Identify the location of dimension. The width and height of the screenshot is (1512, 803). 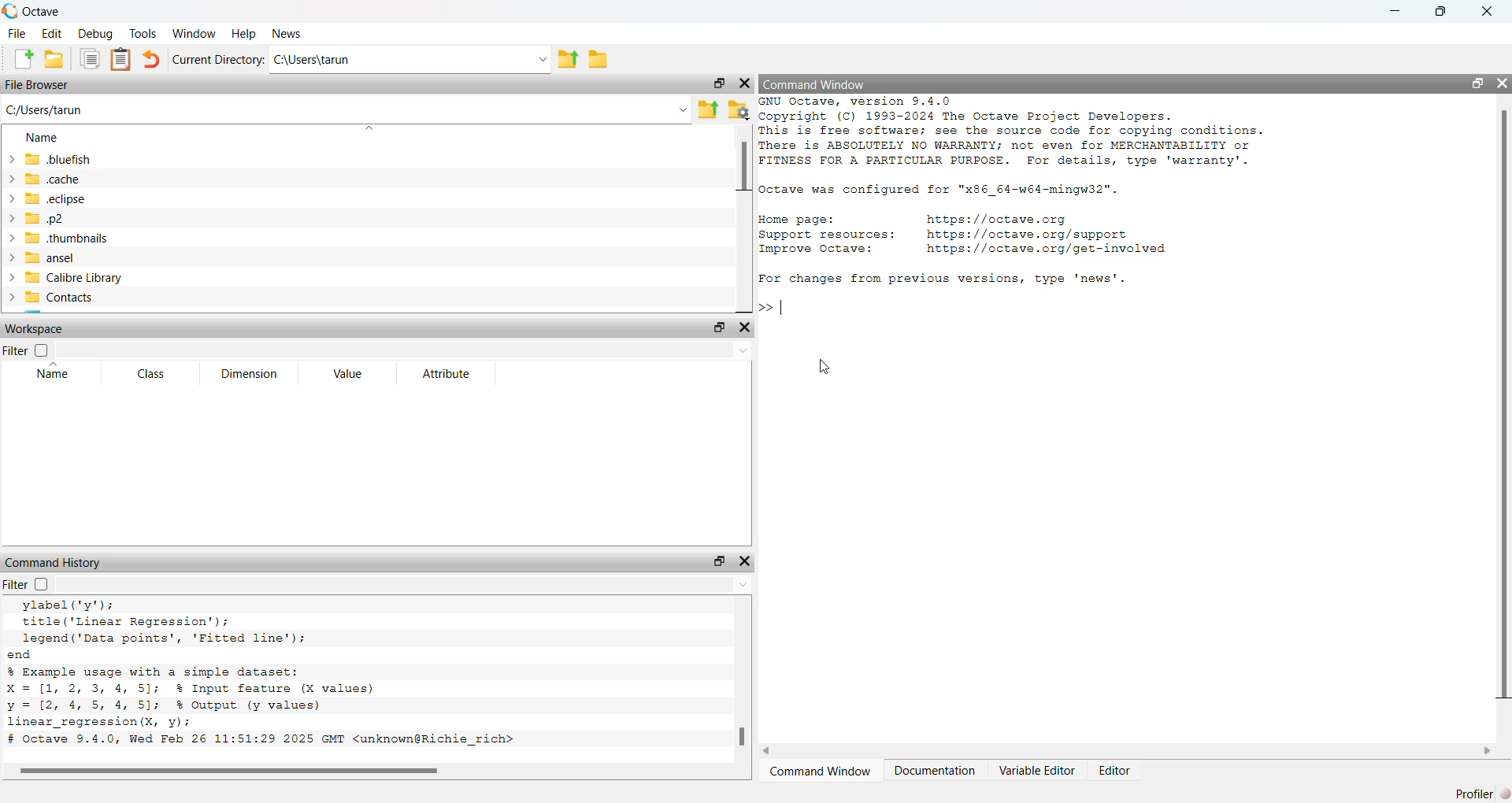
(248, 375).